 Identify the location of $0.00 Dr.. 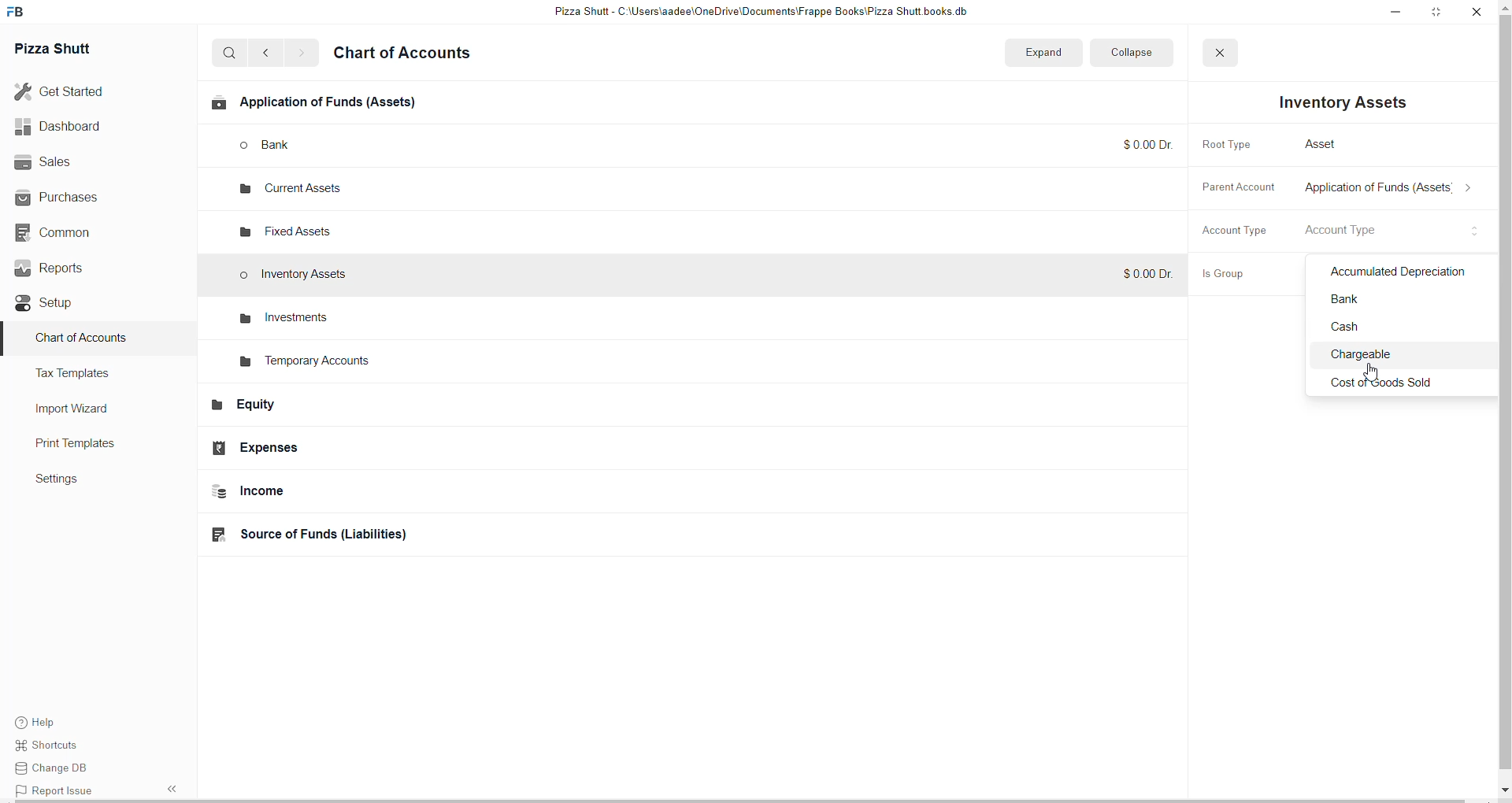
(1140, 143).